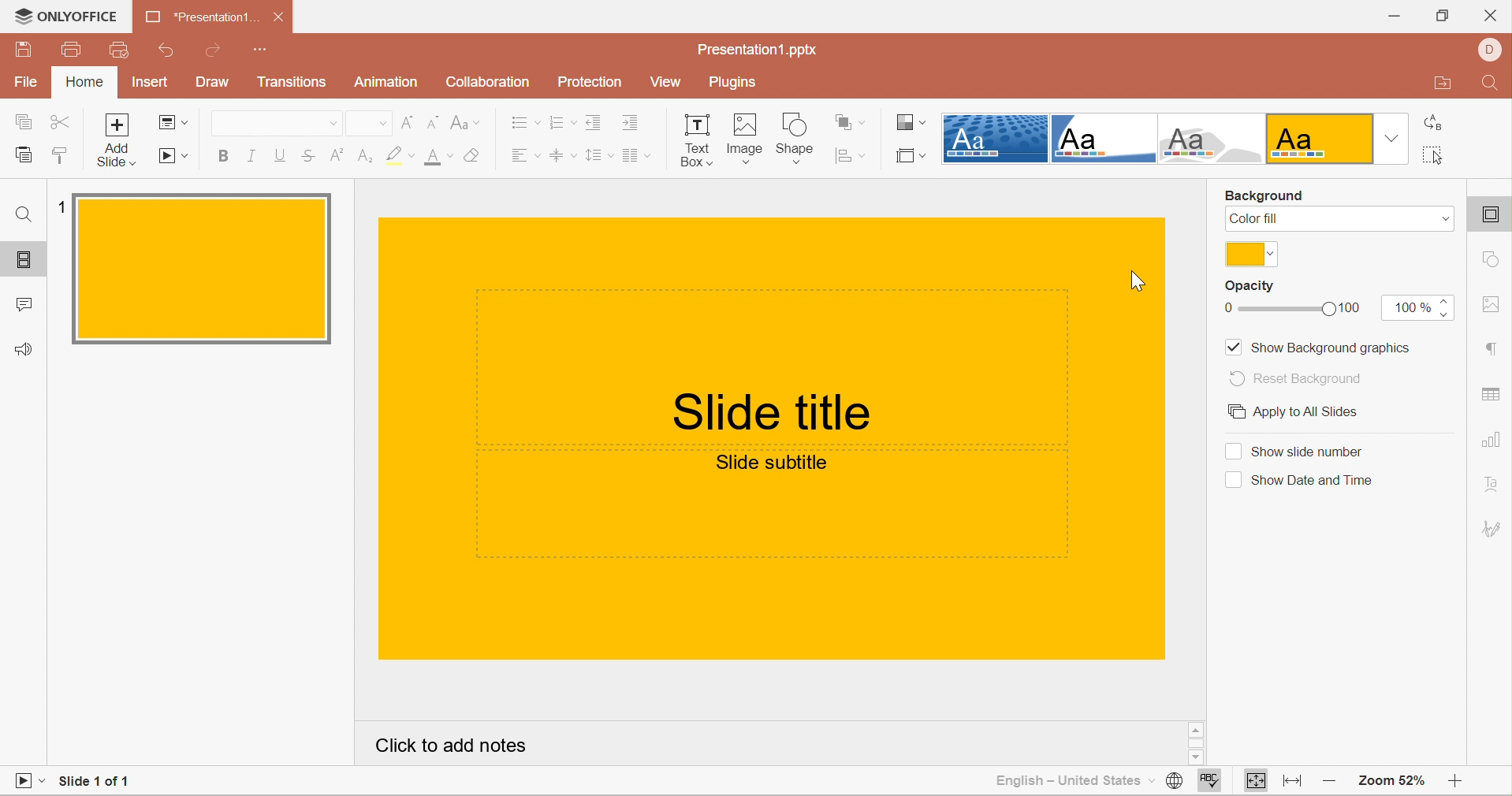 This screenshot has height=796, width=1512. I want to click on Zoom 52%, so click(1387, 781).